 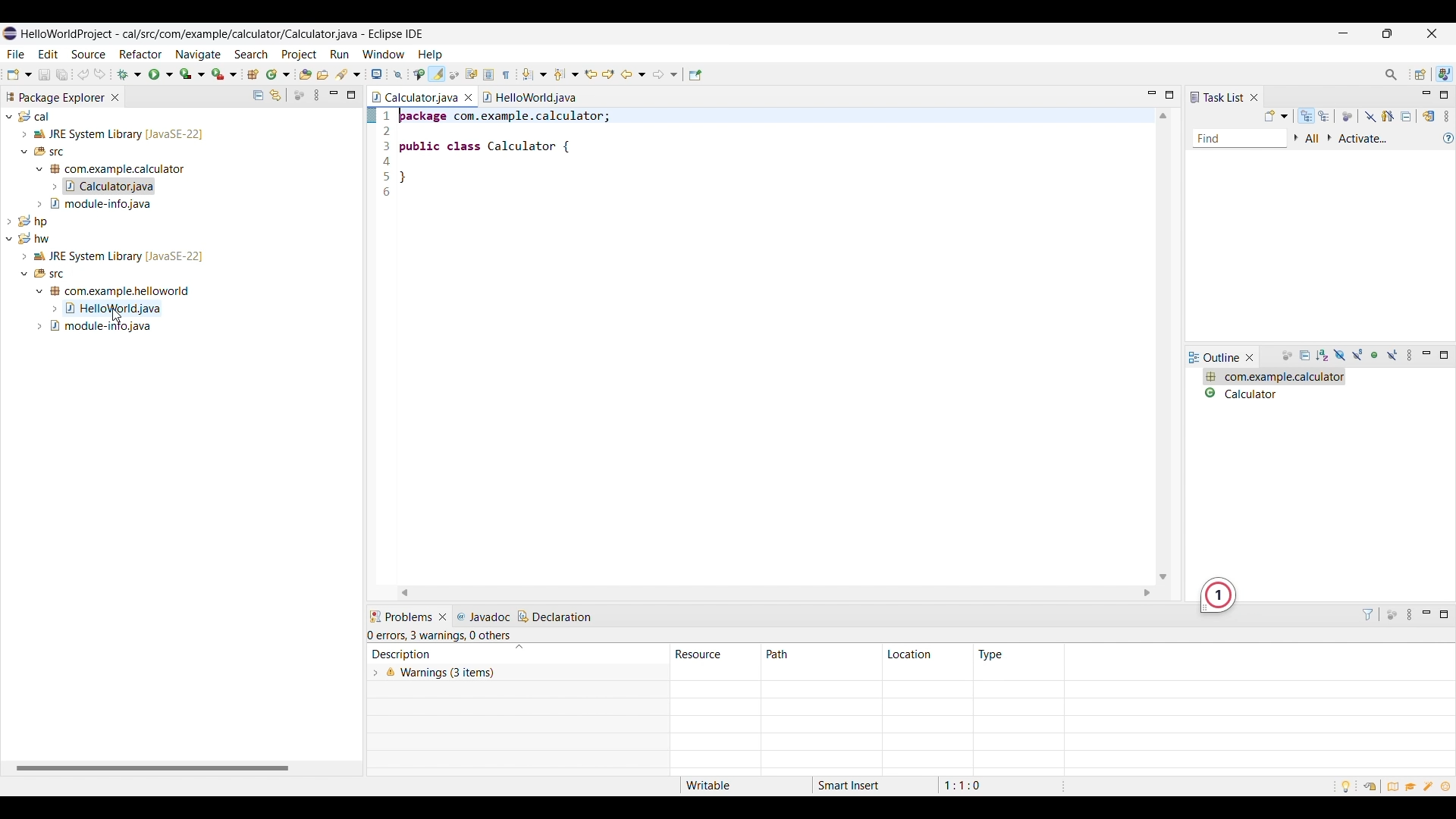 What do you see at coordinates (1431, 33) in the screenshot?
I see `Close interface` at bounding box center [1431, 33].